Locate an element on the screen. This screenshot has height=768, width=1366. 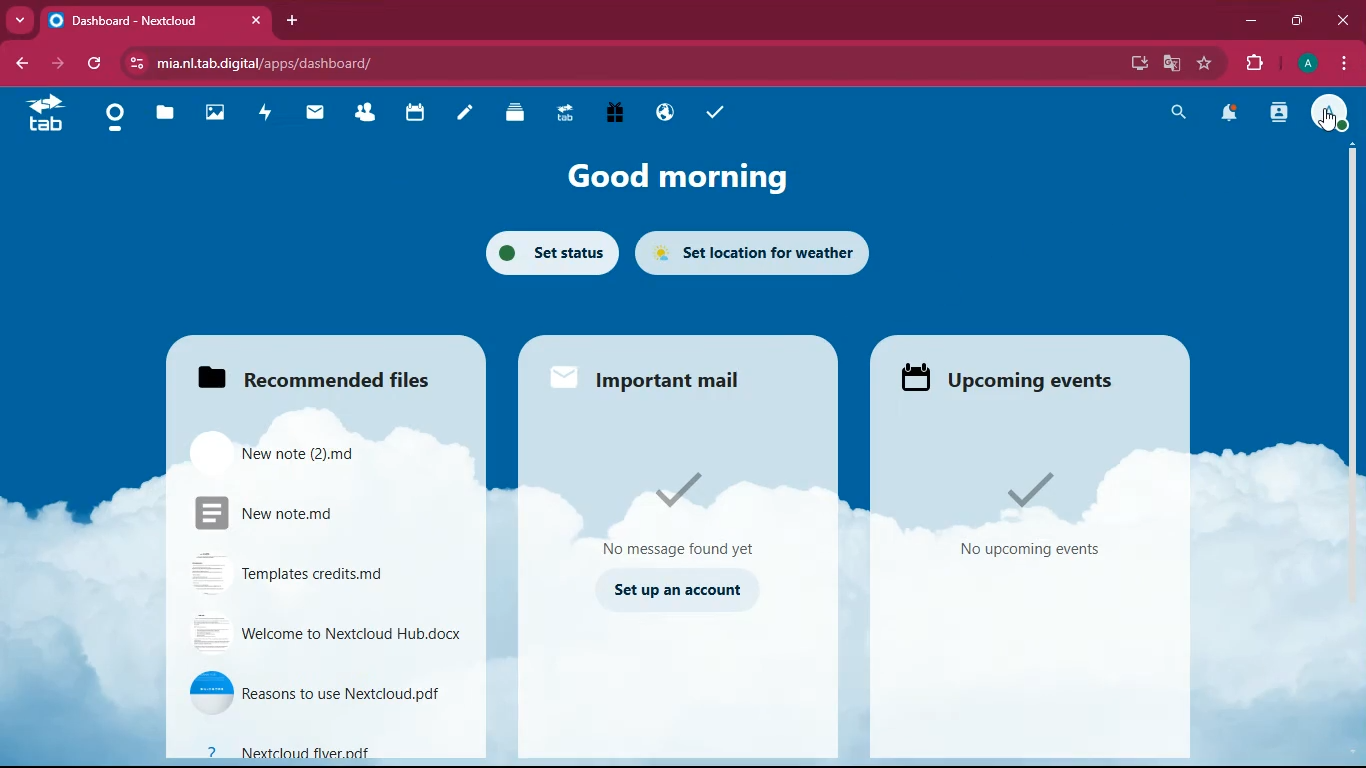
files is located at coordinates (167, 115).